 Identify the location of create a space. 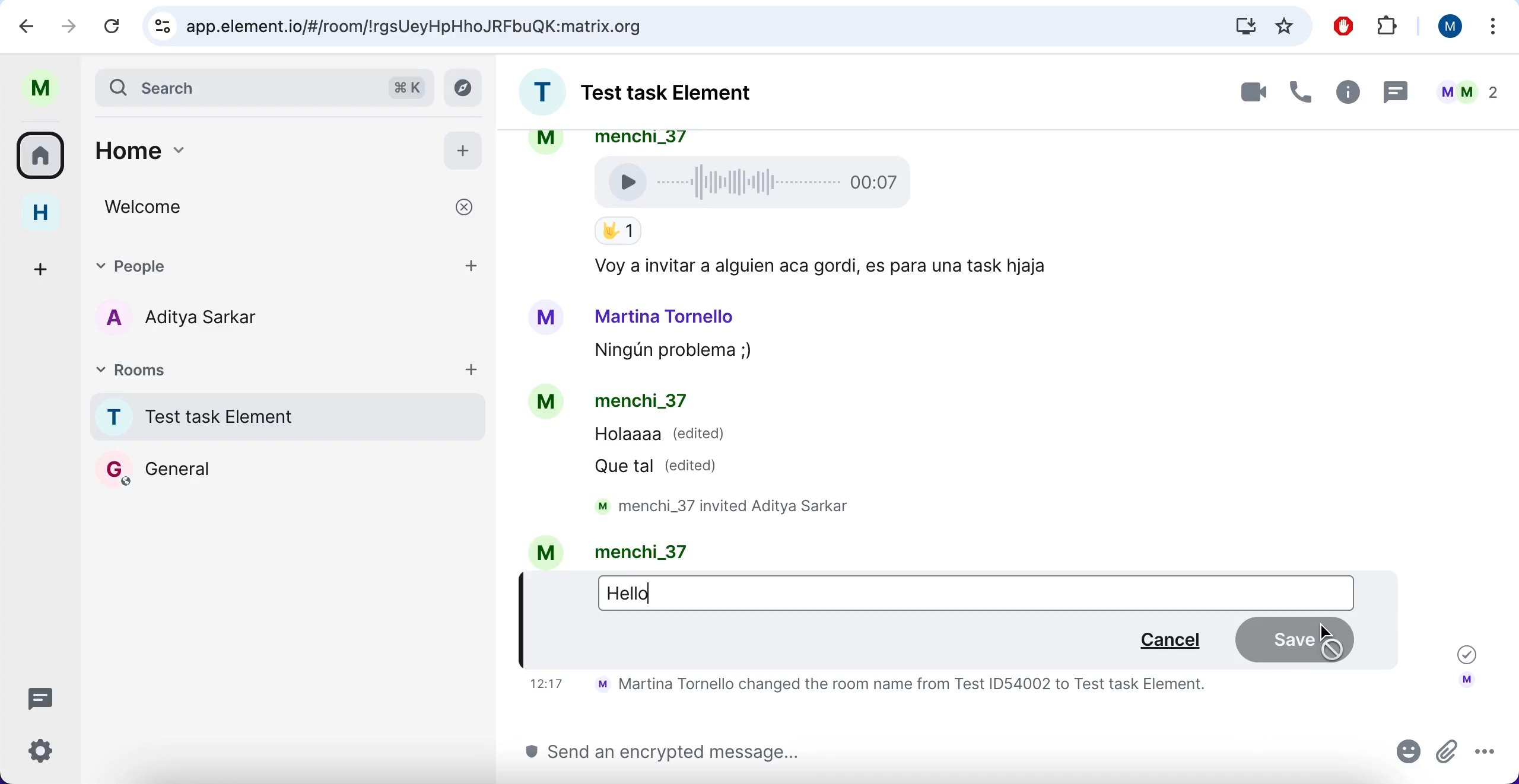
(34, 264).